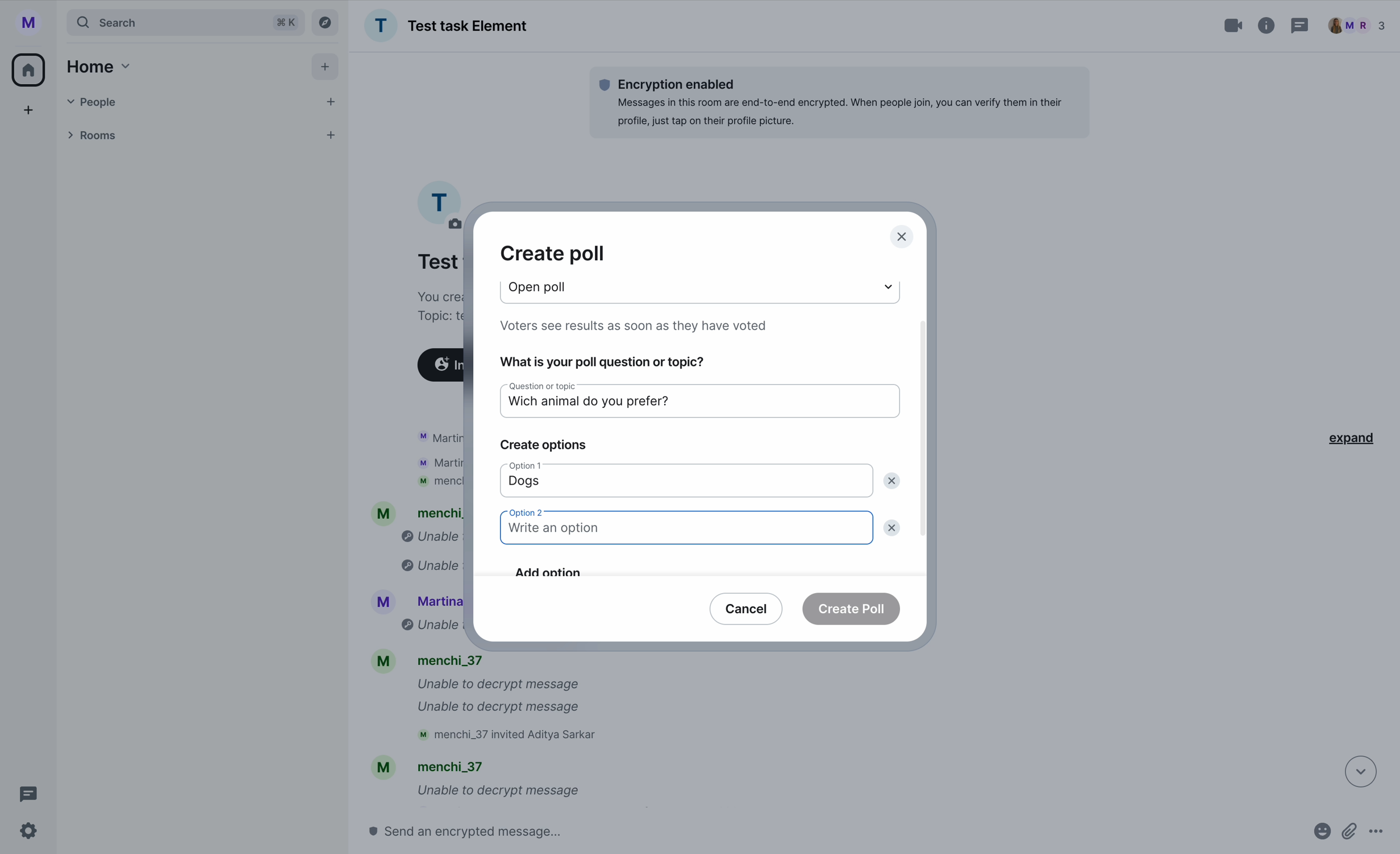 The height and width of the screenshot is (854, 1400). Describe the element at coordinates (927, 428) in the screenshot. I see `scroll bar` at that location.